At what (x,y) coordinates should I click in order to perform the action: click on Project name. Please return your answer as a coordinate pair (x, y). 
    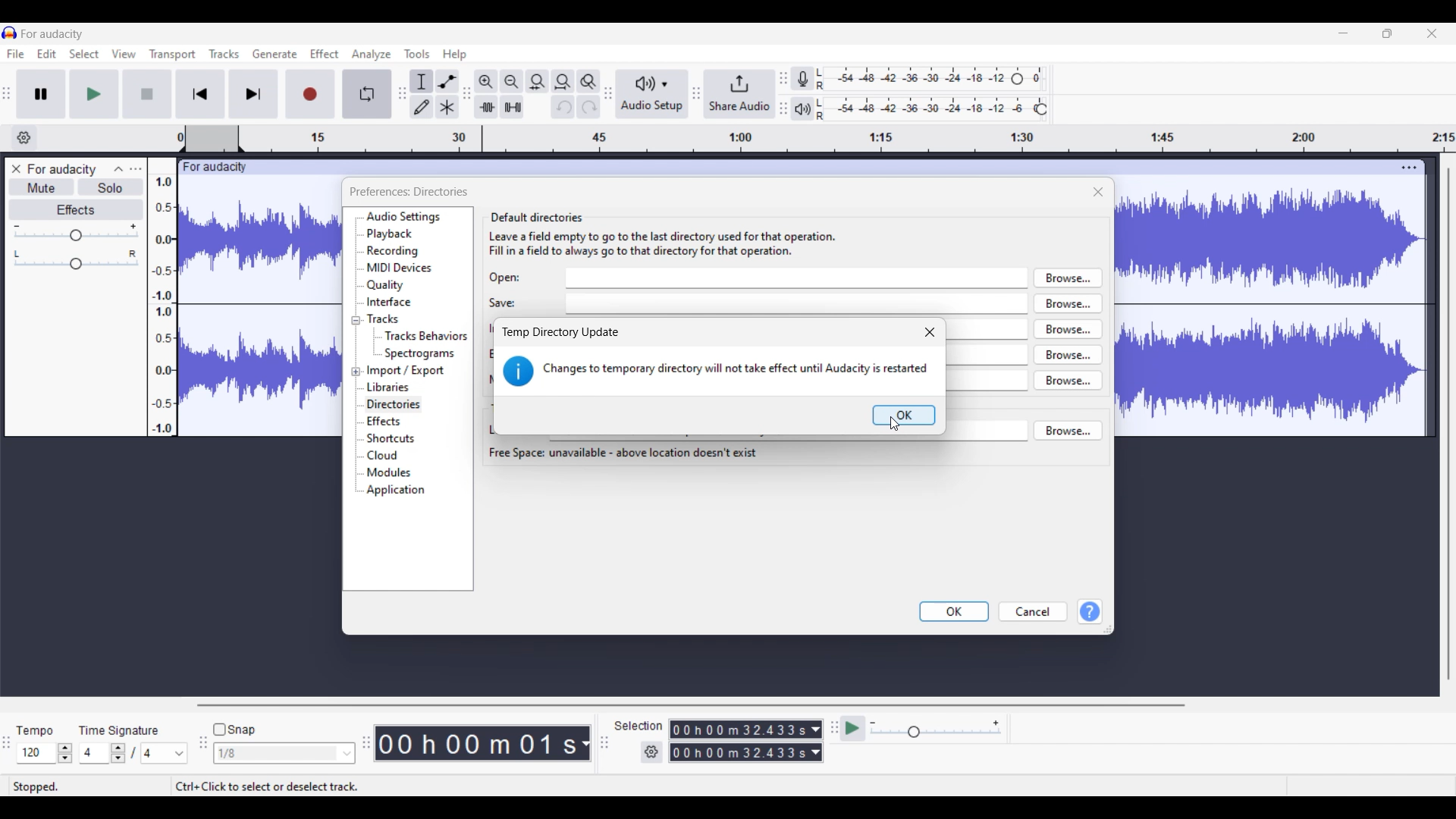
    Looking at the image, I should click on (52, 33).